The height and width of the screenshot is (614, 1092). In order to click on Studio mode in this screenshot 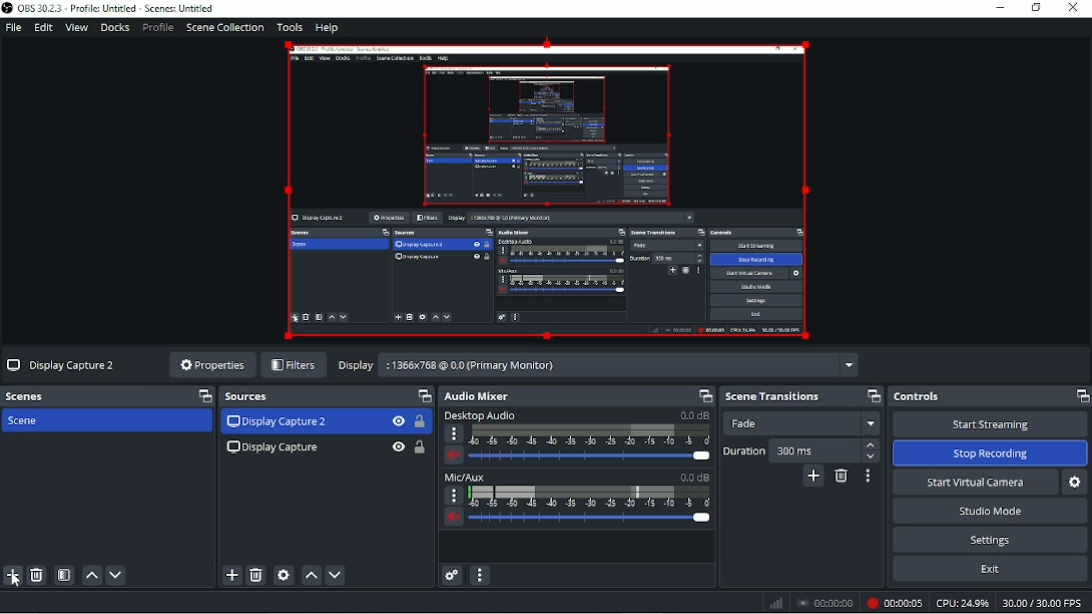, I will do `click(987, 512)`.